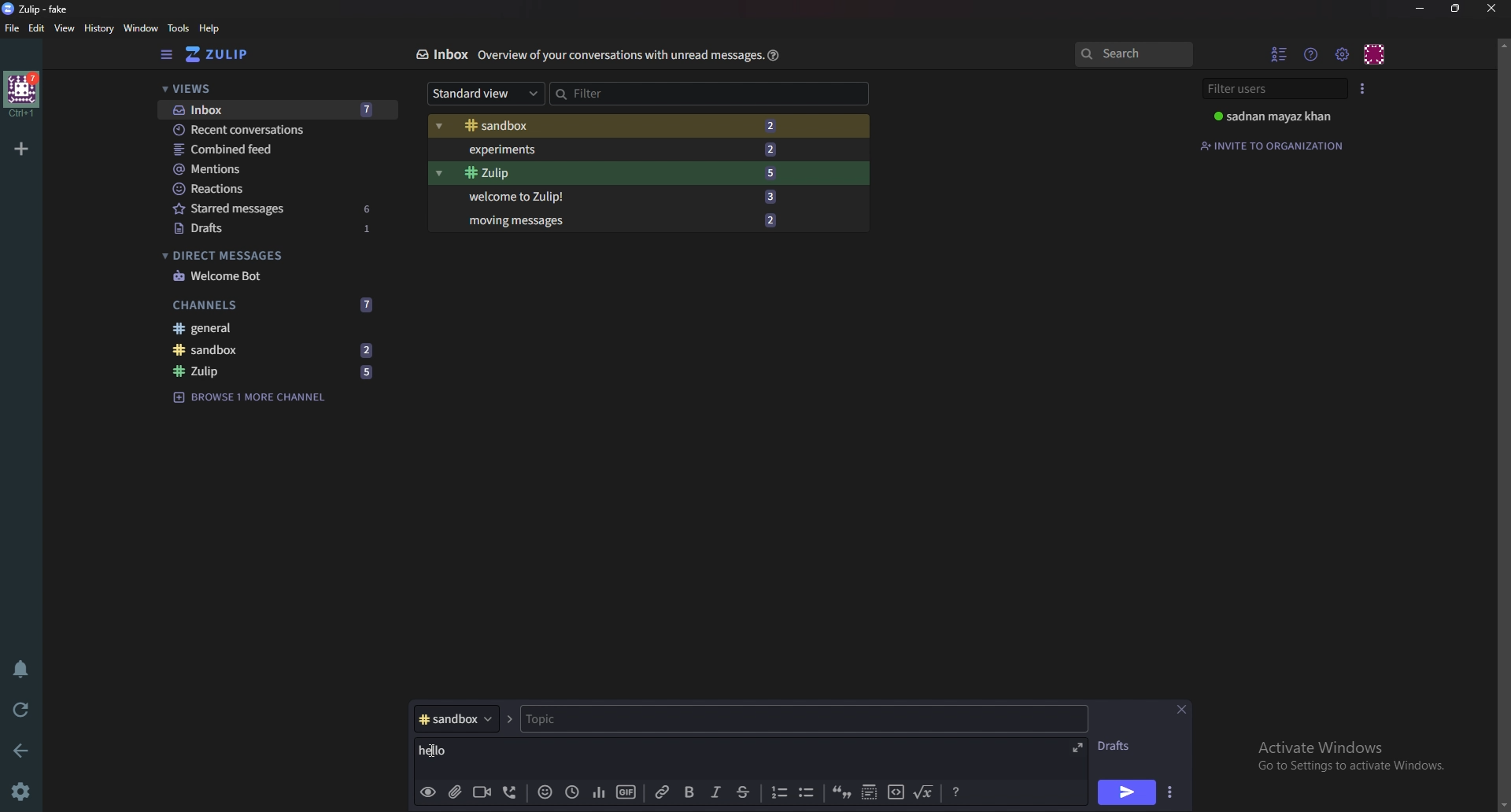 This screenshot has height=812, width=1511. What do you see at coordinates (772, 55) in the screenshot?
I see `Help` at bounding box center [772, 55].